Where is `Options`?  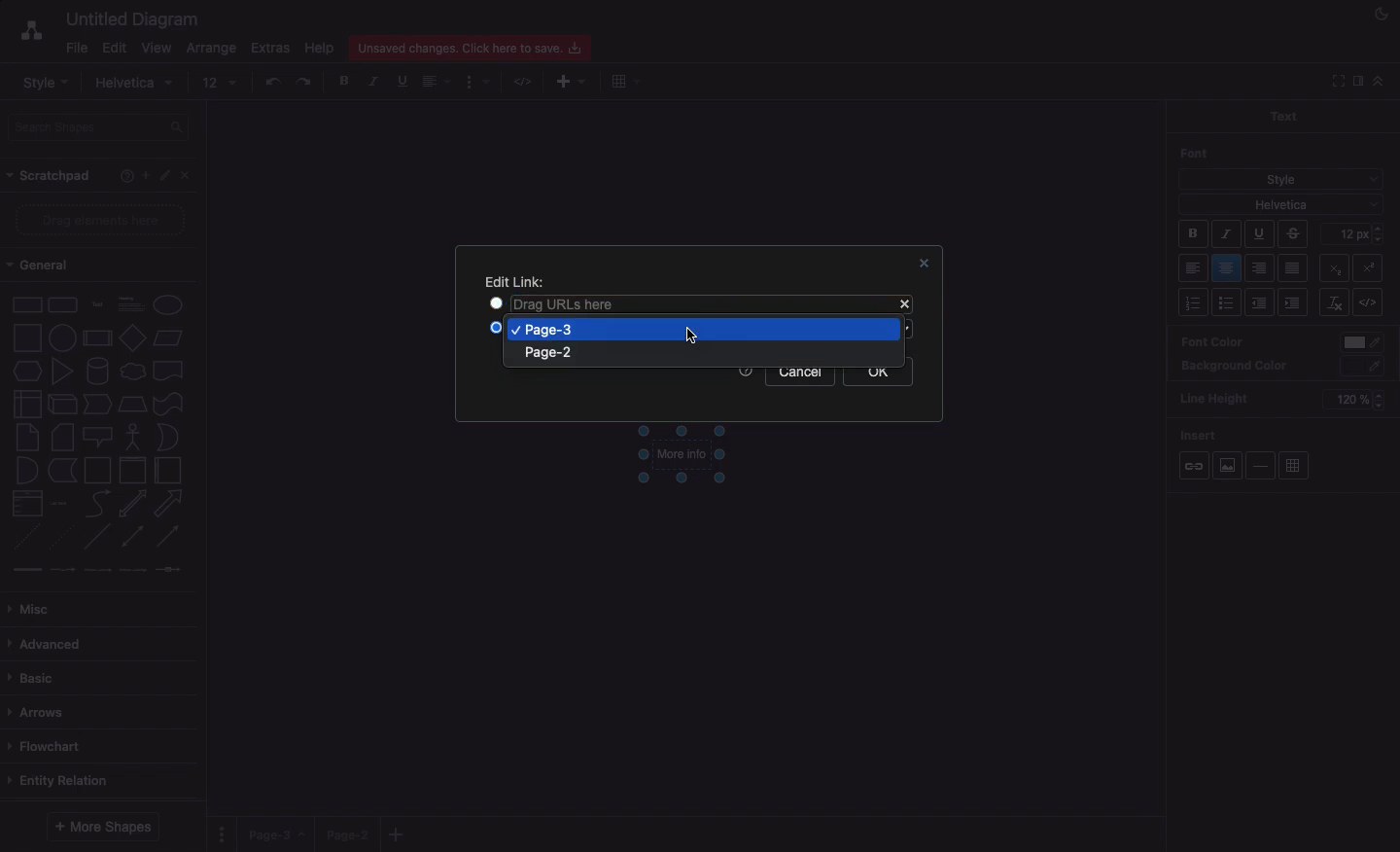
Options is located at coordinates (224, 834).